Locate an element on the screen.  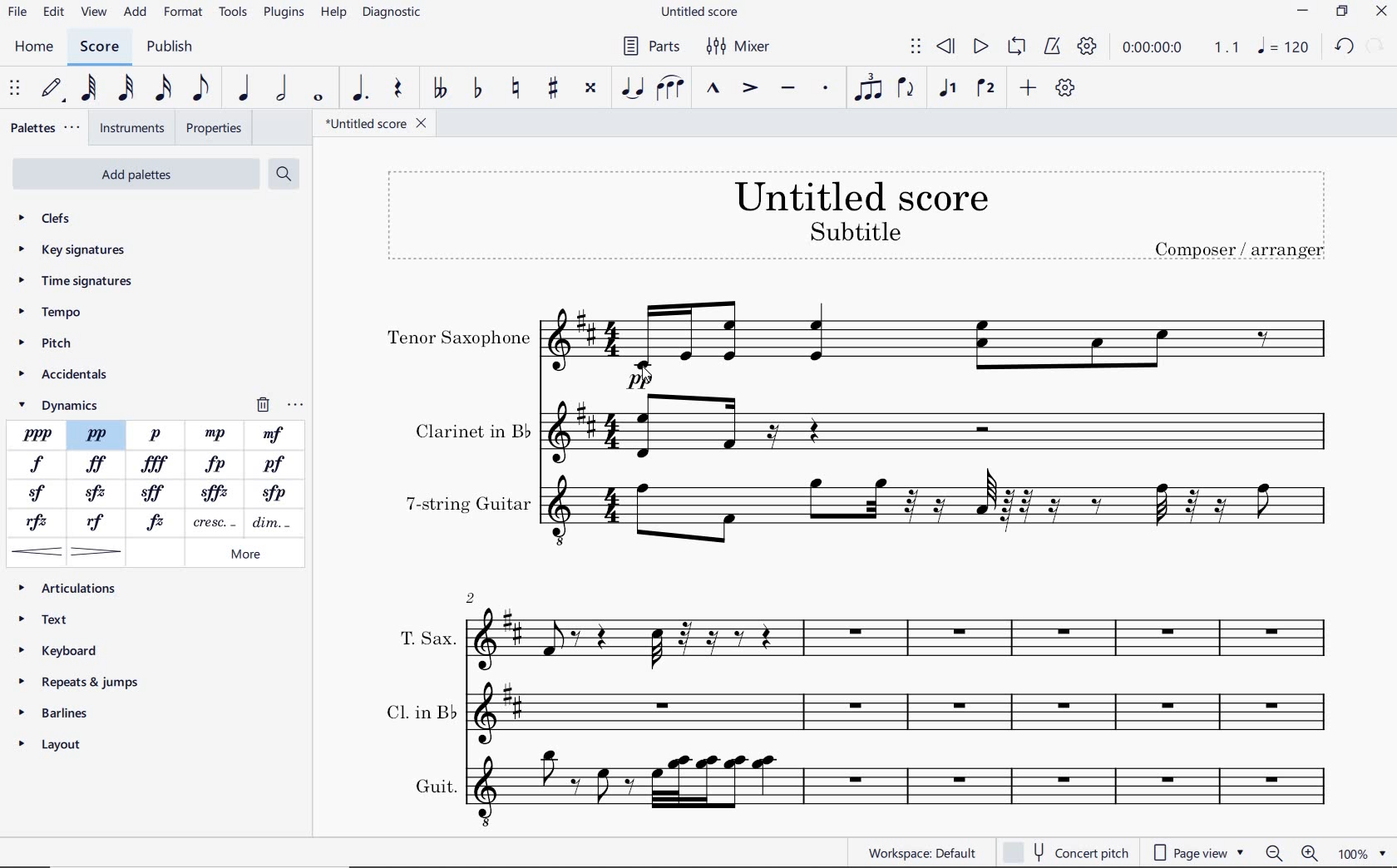
2 is located at coordinates (471, 596).